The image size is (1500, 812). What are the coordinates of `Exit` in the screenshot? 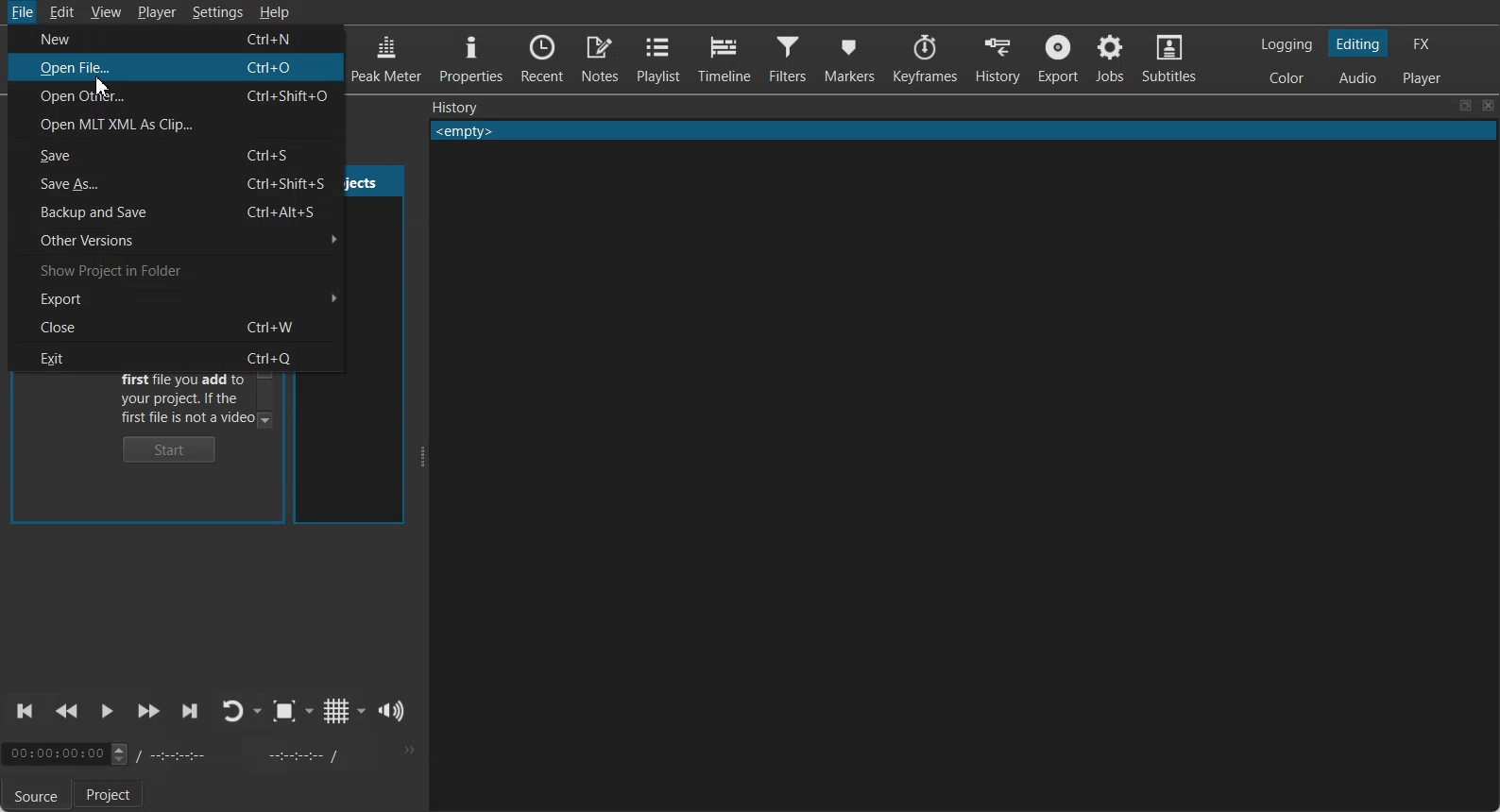 It's located at (104, 355).